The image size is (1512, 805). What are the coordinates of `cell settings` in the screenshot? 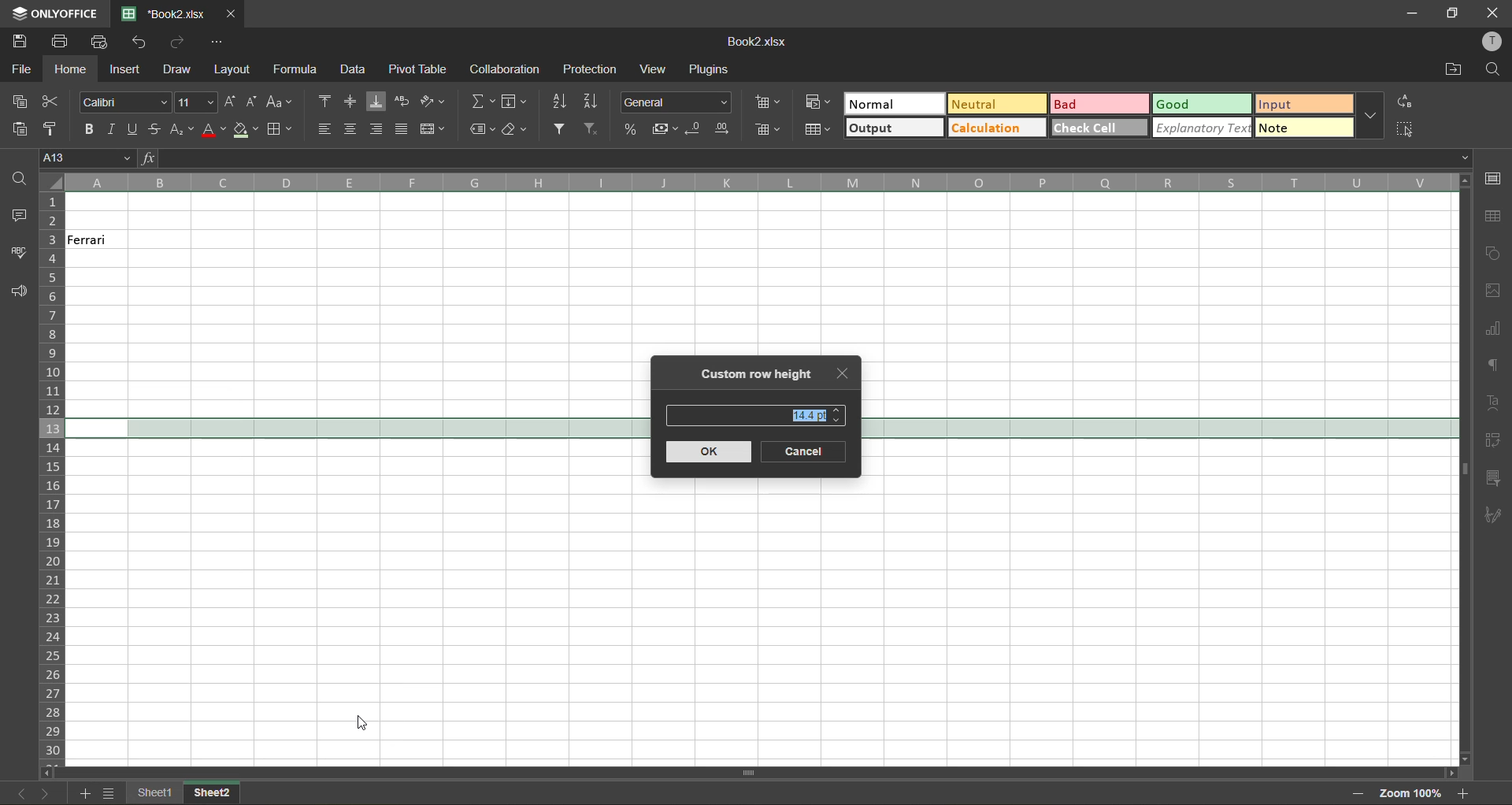 It's located at (1494, 177).